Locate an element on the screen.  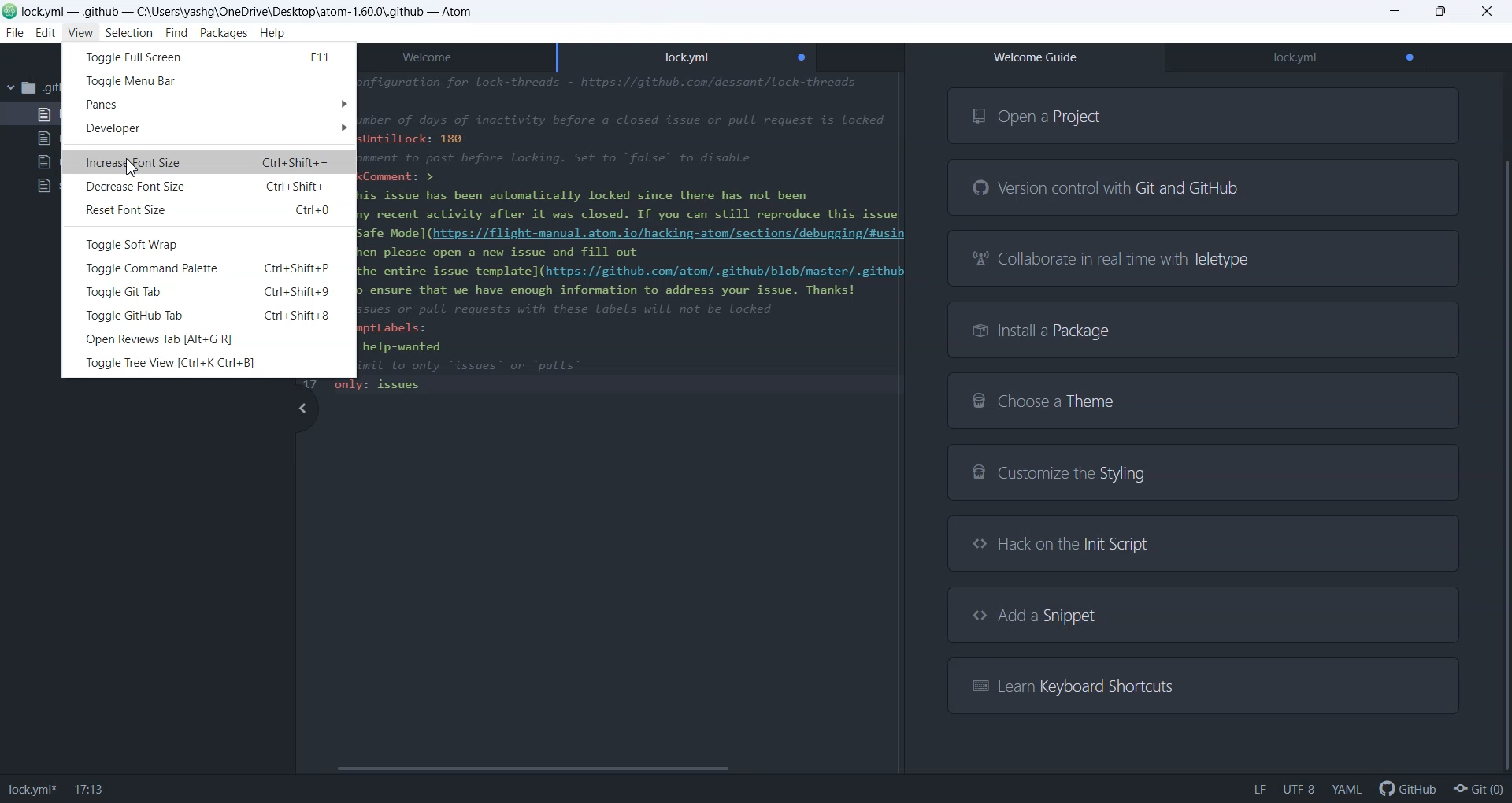
Packages is located at coordinates (224, 34).